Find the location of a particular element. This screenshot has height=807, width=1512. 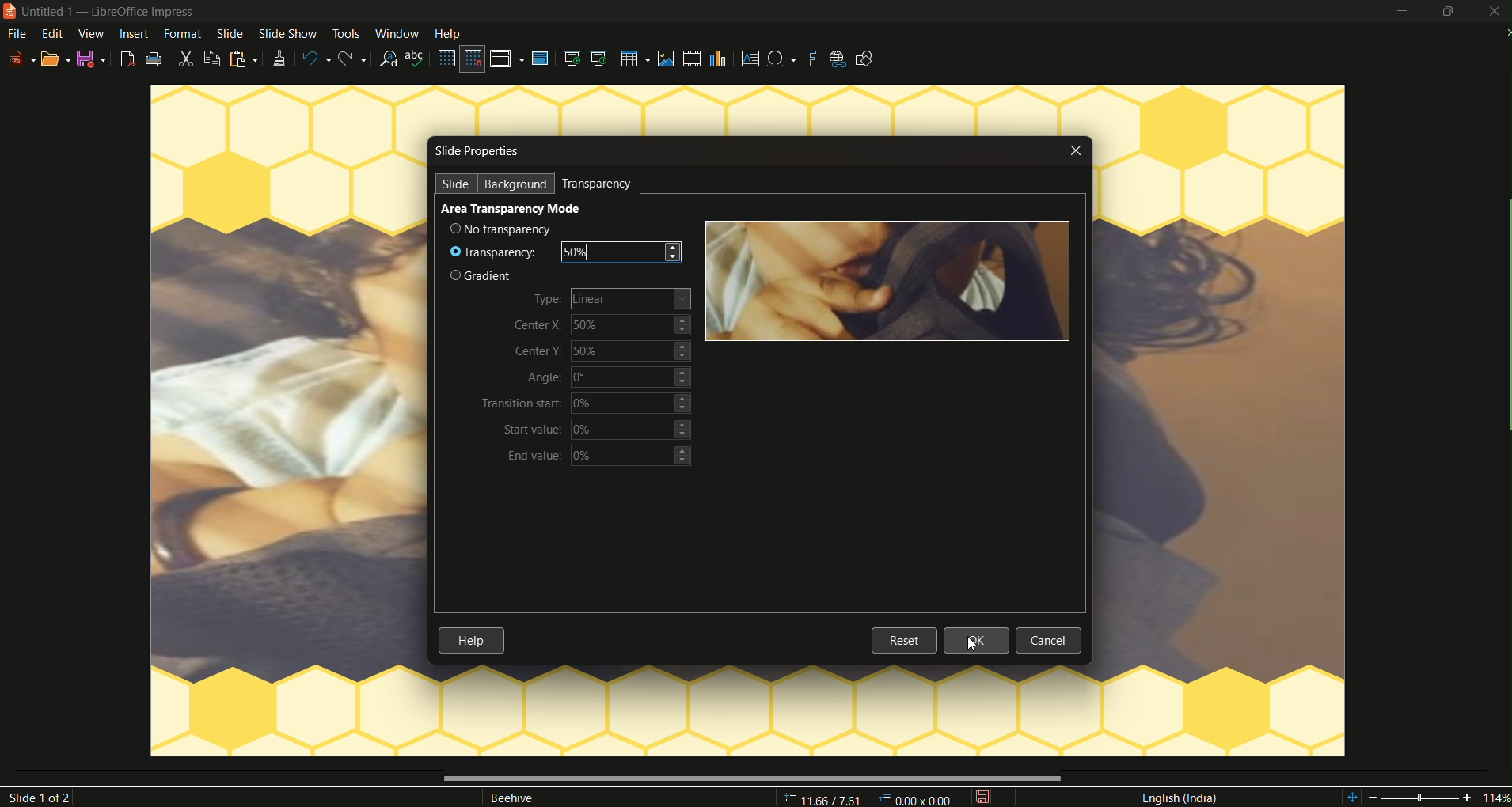

area transparency mode is located at coordinates (511, 209).